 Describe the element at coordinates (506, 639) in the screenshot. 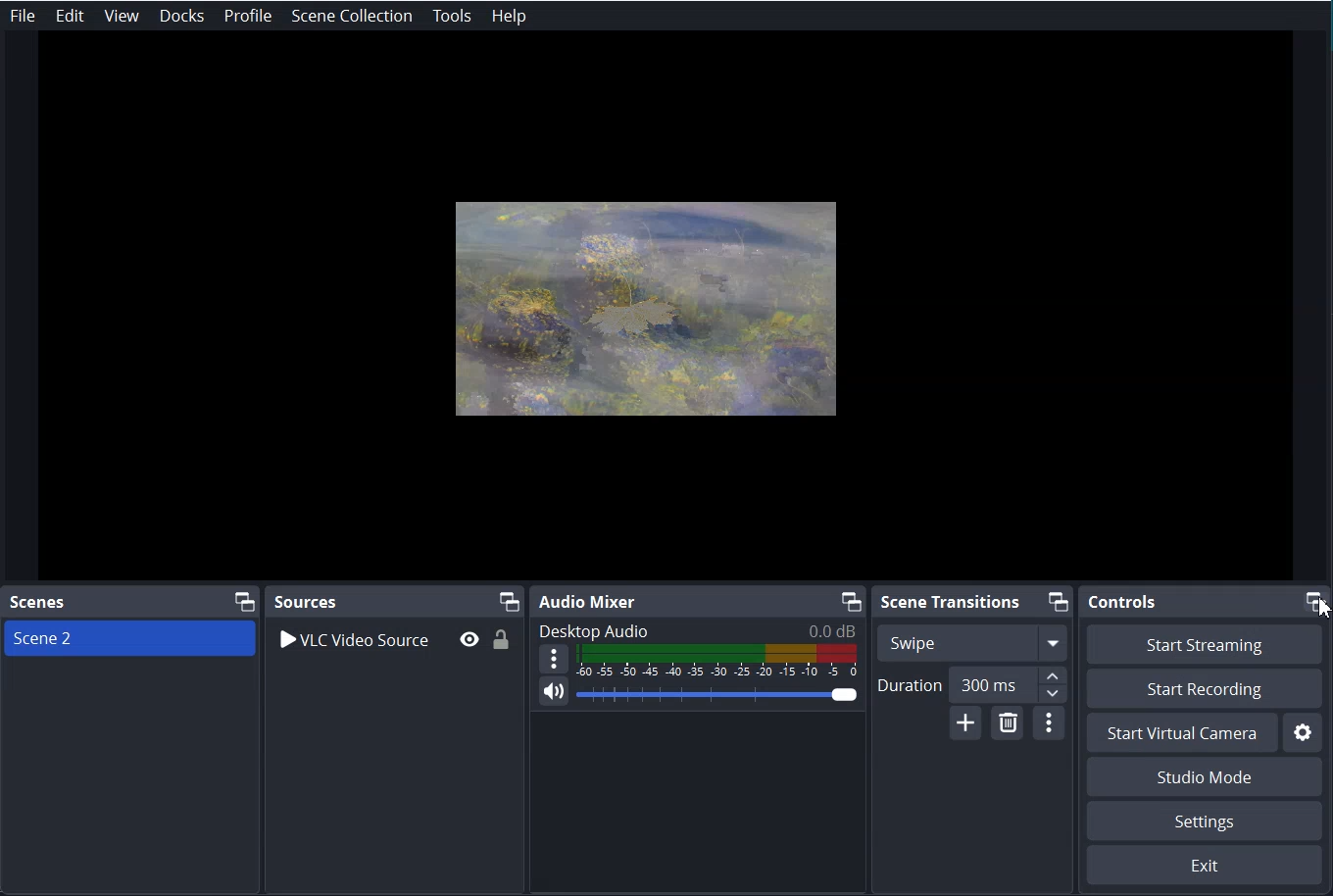

I see `Lock` at that location.